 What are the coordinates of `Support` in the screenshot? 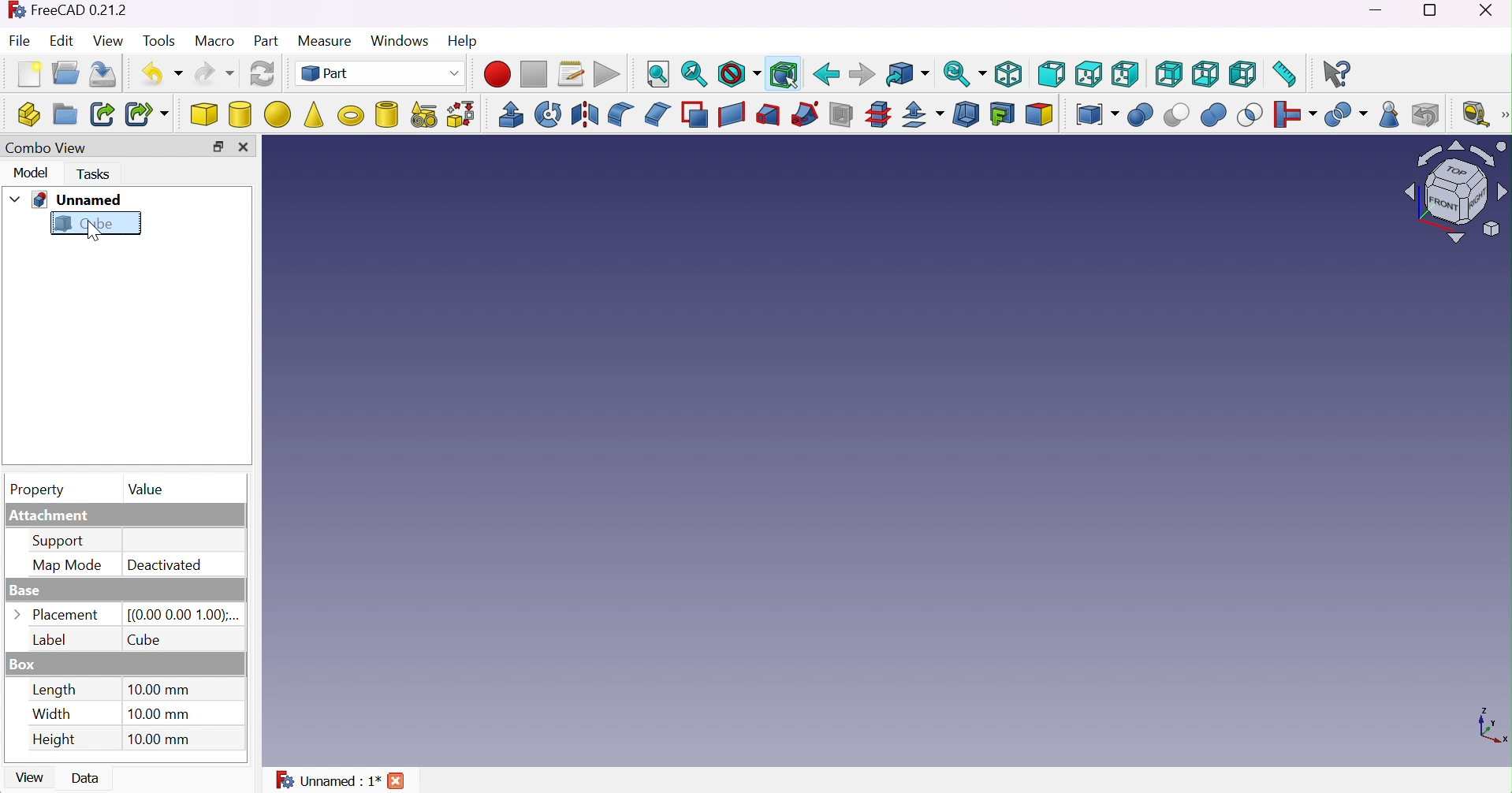 It's located at (65, 544).